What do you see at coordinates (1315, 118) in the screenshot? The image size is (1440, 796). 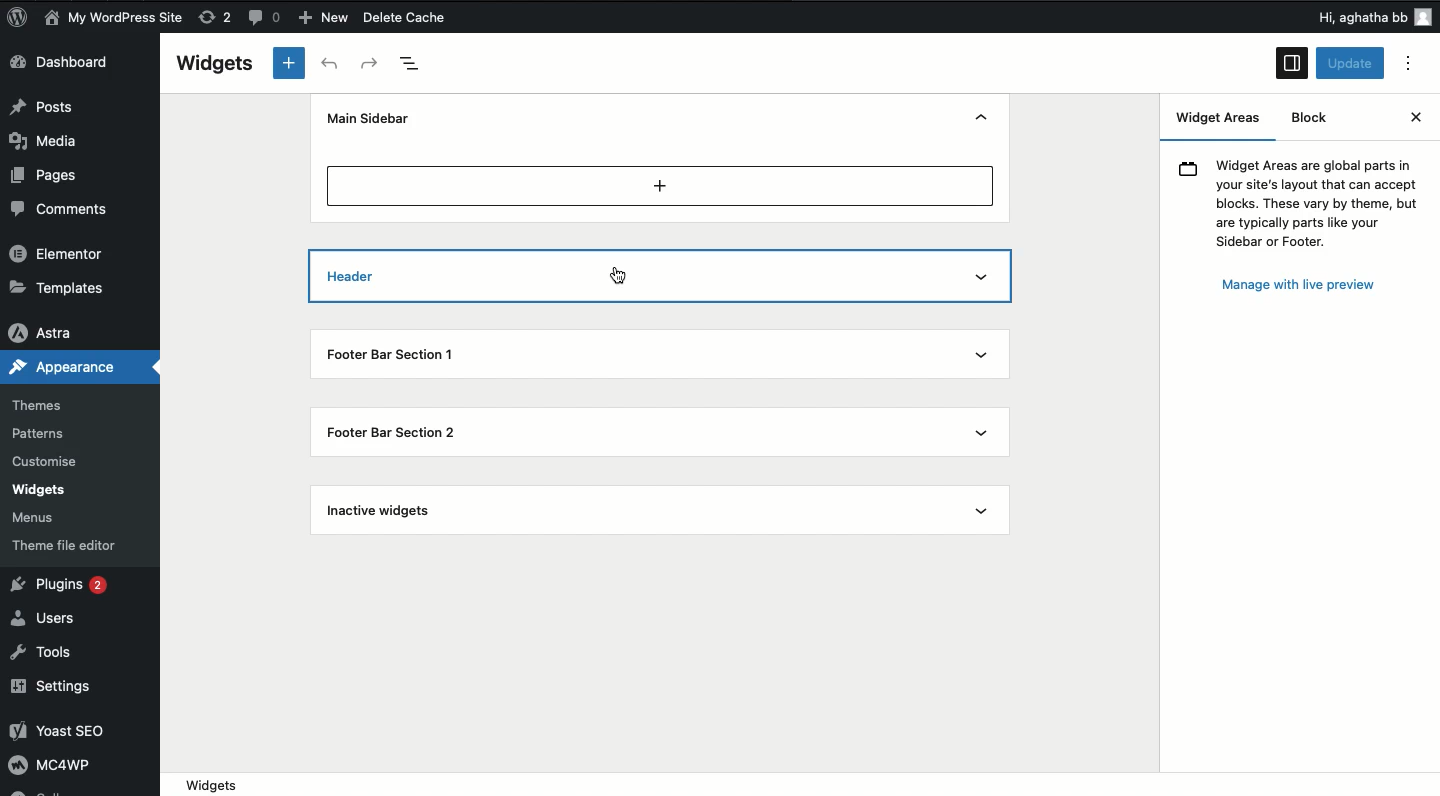 I see `Block` at bounding box center [1315, 118].